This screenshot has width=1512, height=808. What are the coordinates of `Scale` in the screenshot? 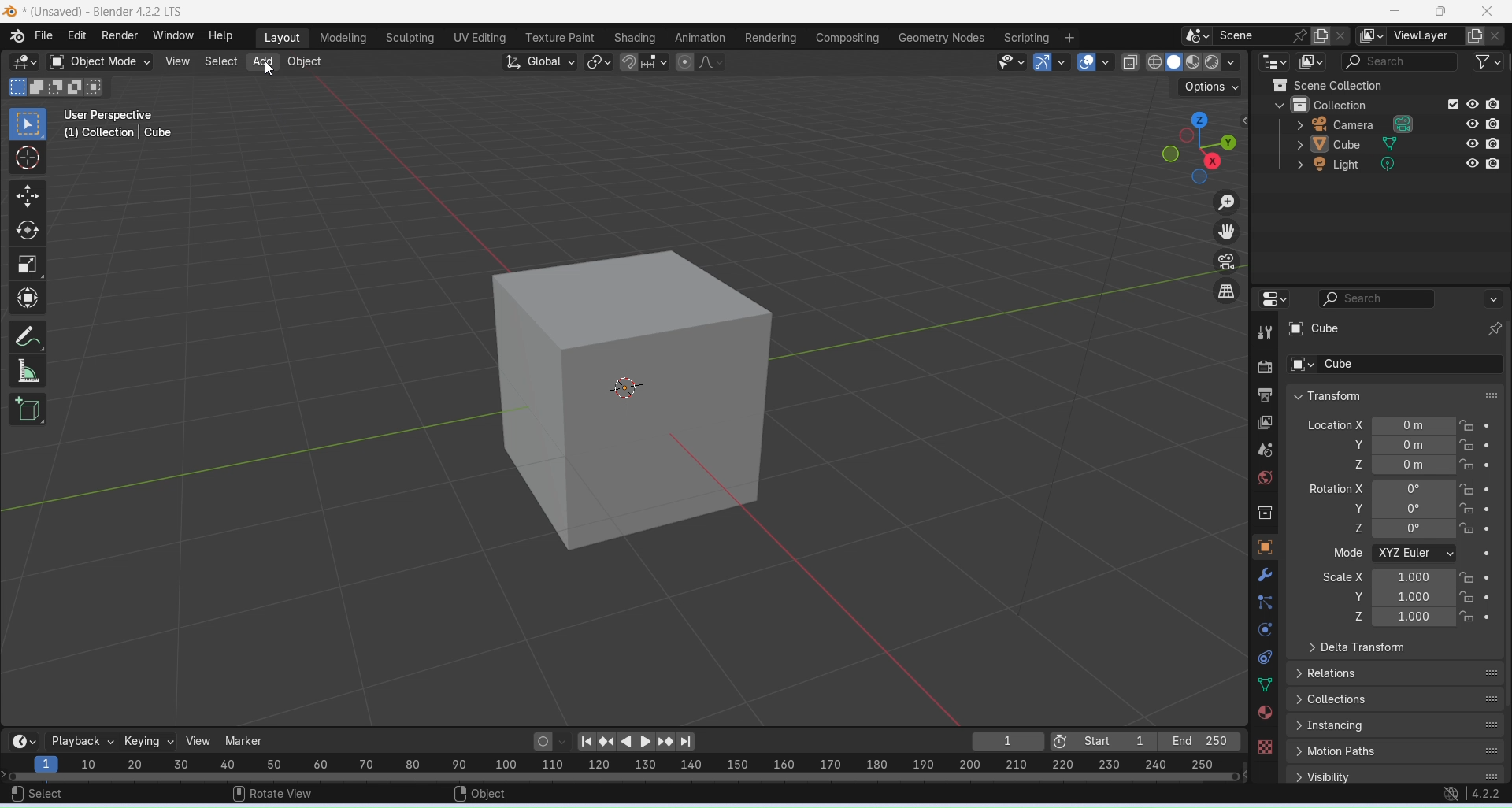 It's located at (27, 265).